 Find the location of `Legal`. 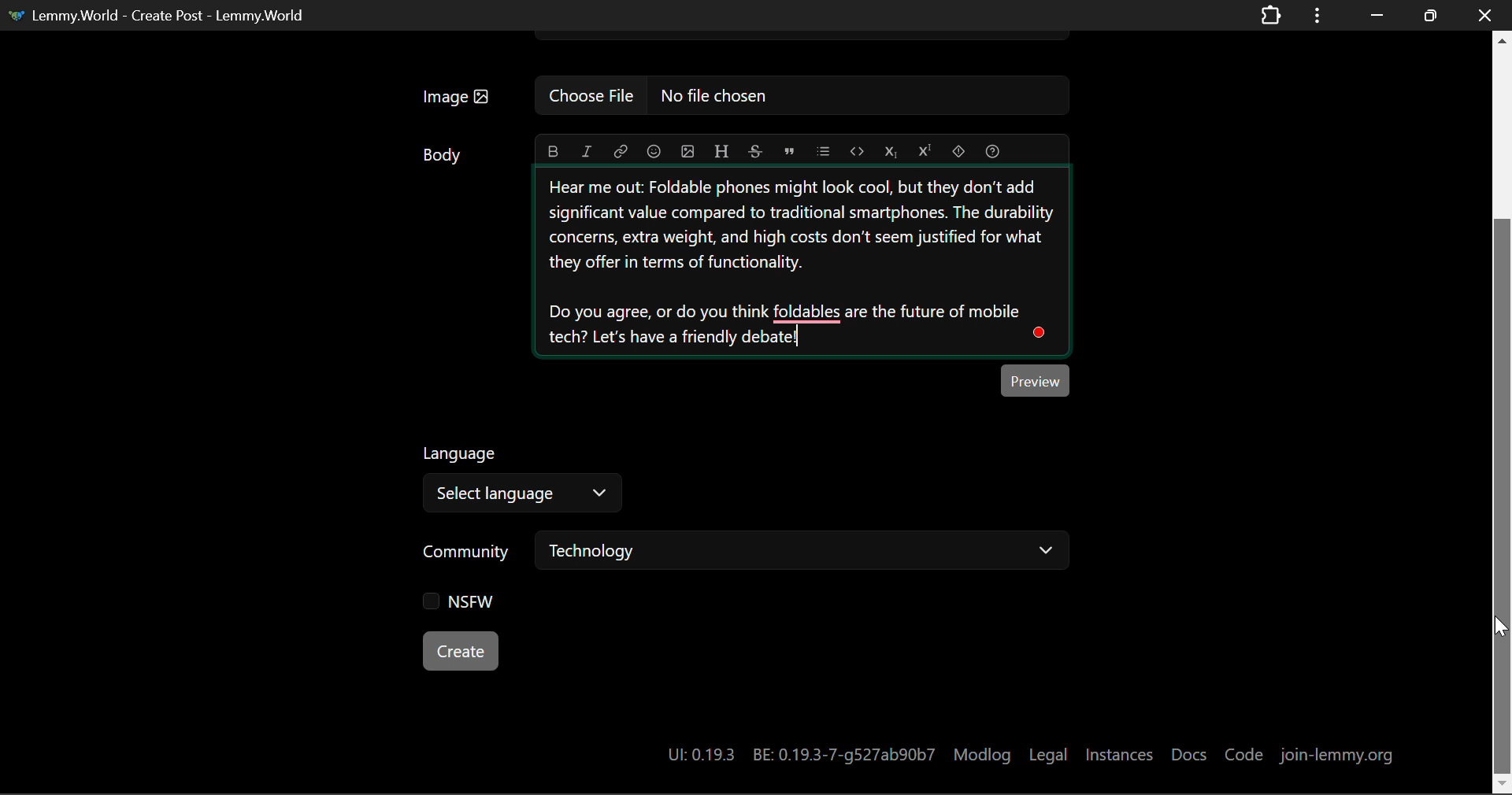

Legal is located at coordinates (1051, 752).